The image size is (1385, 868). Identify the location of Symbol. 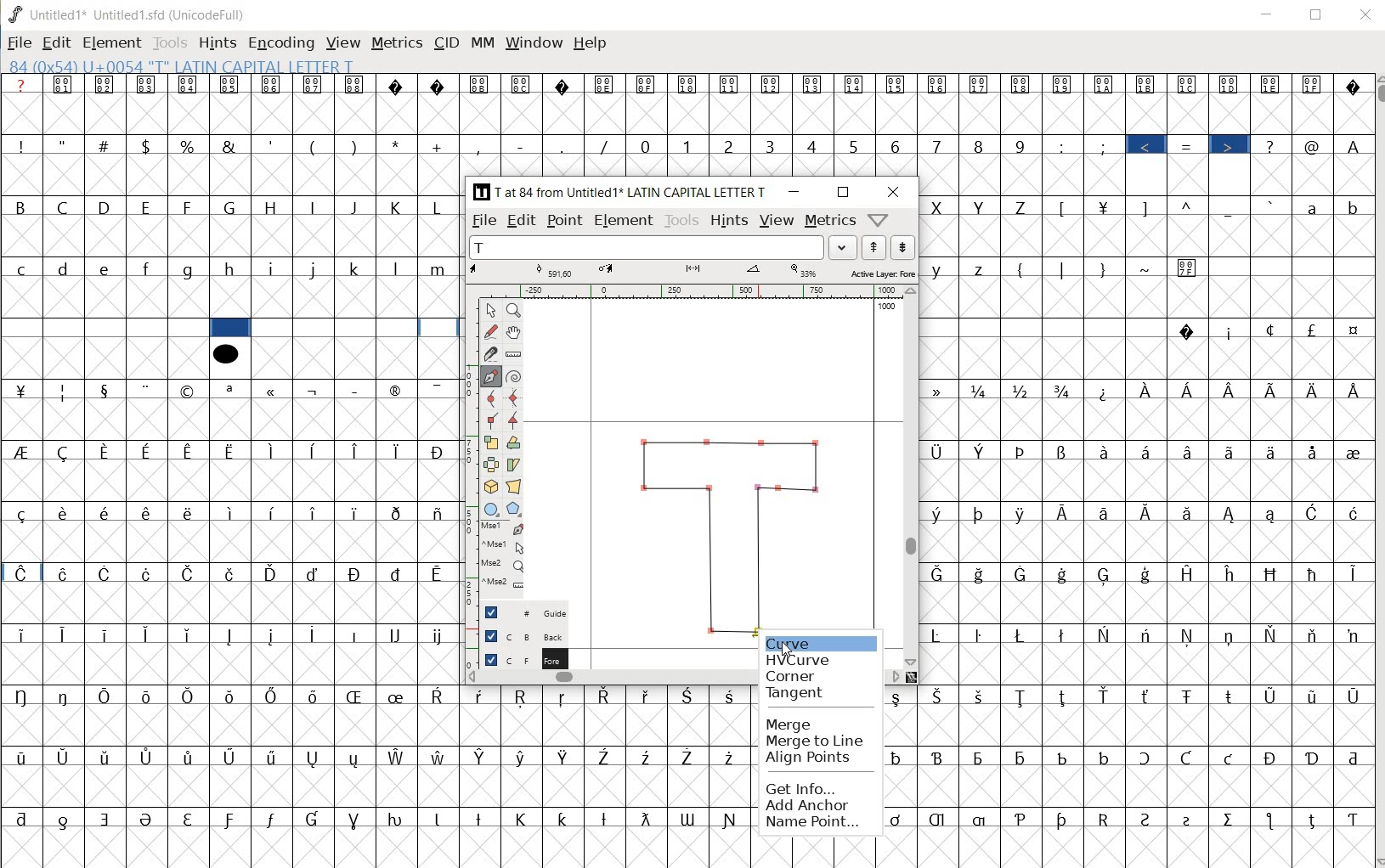
(1021, 451).